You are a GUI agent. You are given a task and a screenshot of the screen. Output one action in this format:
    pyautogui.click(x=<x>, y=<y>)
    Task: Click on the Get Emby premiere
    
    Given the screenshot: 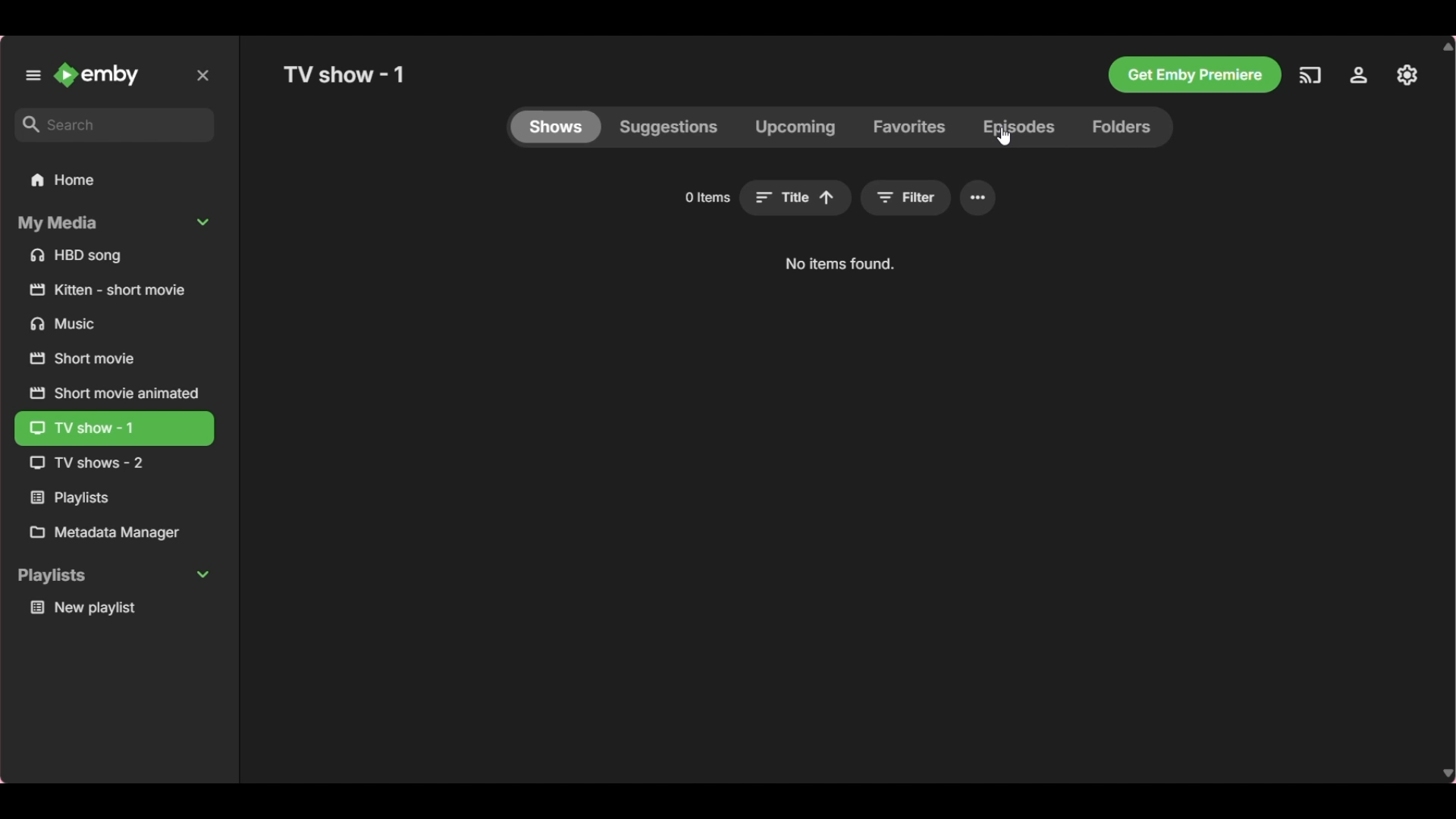 What is the action you would take?
    pyautogui.click(x=1194, y=75)
    